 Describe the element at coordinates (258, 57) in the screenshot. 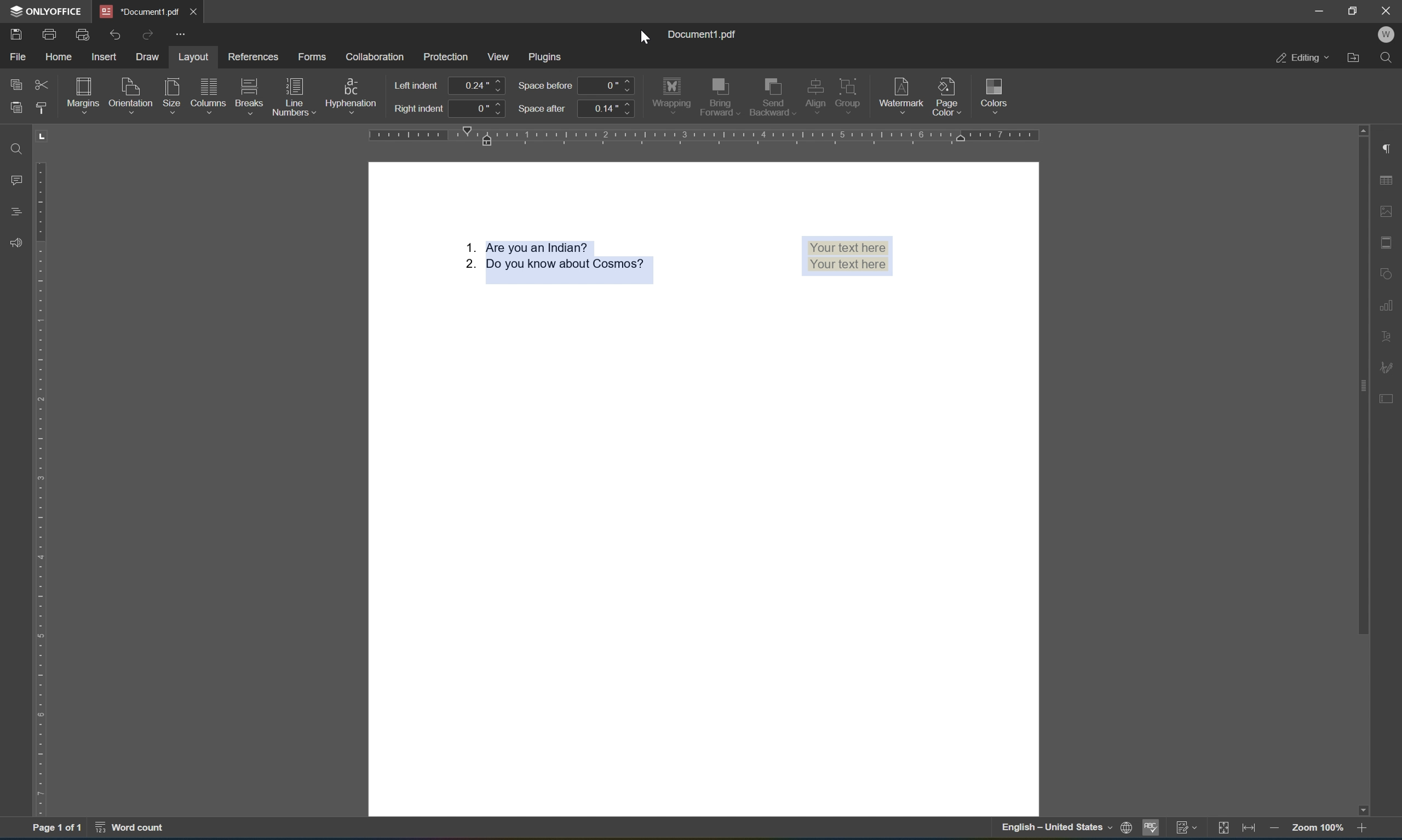

I see `refernces` at that location.